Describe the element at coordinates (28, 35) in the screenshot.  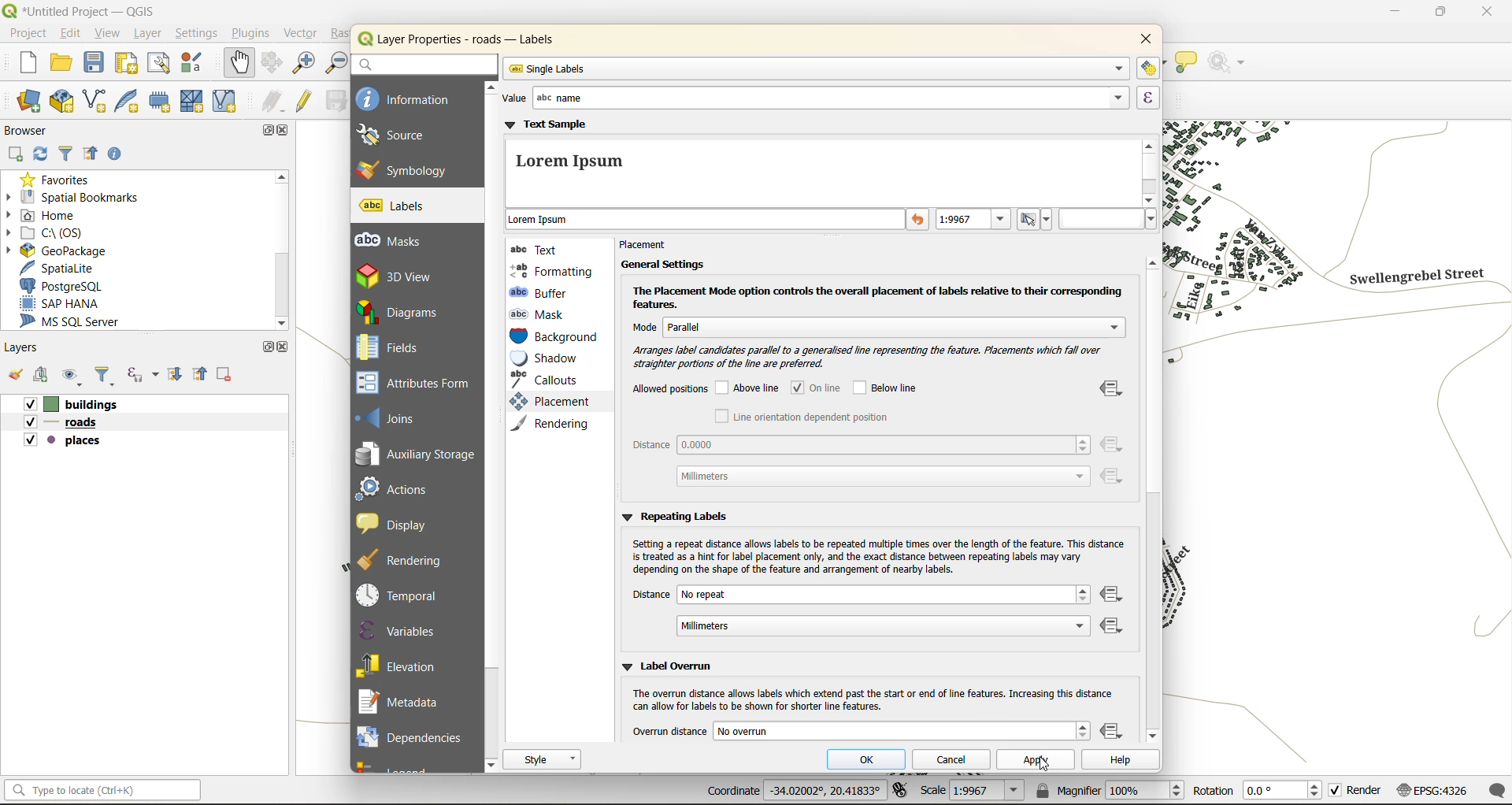
I see `project` at that location.